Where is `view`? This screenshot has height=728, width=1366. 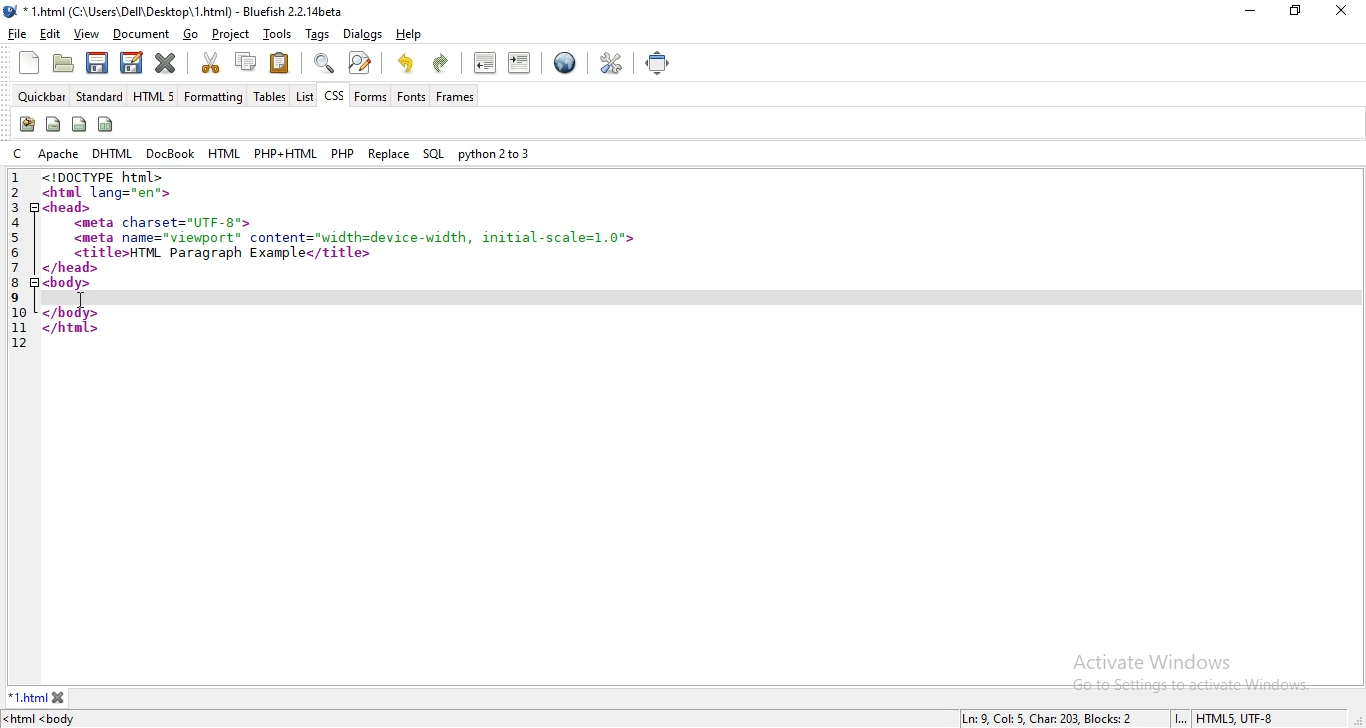 view is located at coordinates (85, 34).